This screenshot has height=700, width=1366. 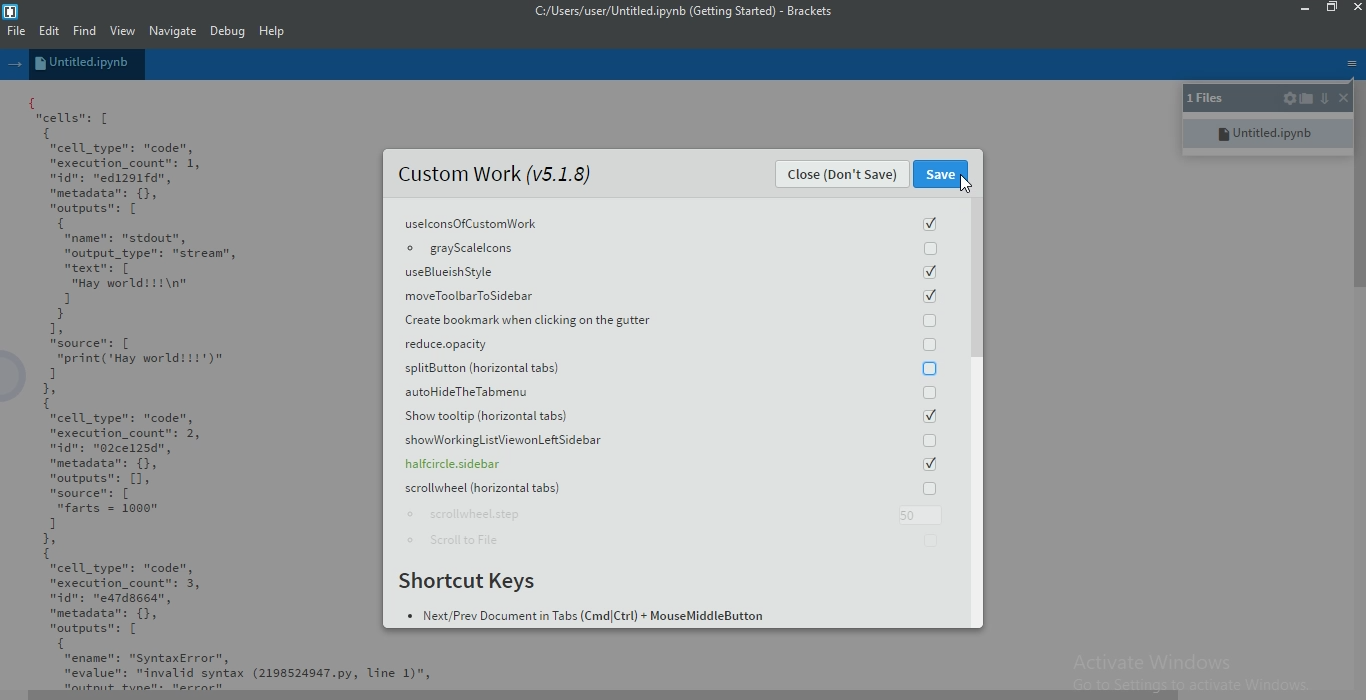 What do you see at coordinates (469, 582) in the screenshot?
I see `Shortcut Keys` at bounding box center [469, 582].